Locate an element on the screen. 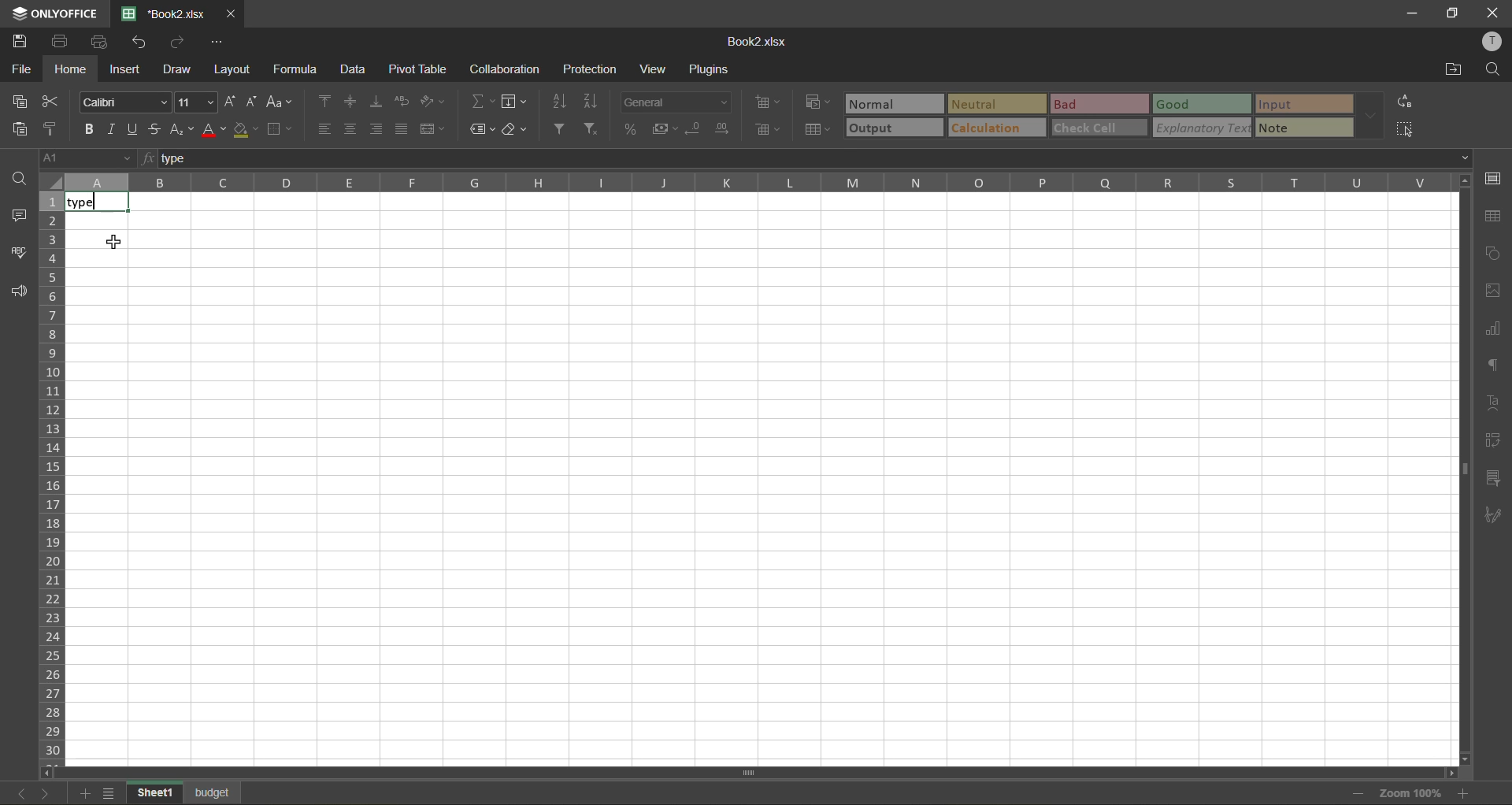  decrement size is located at coordinates (255, 101).